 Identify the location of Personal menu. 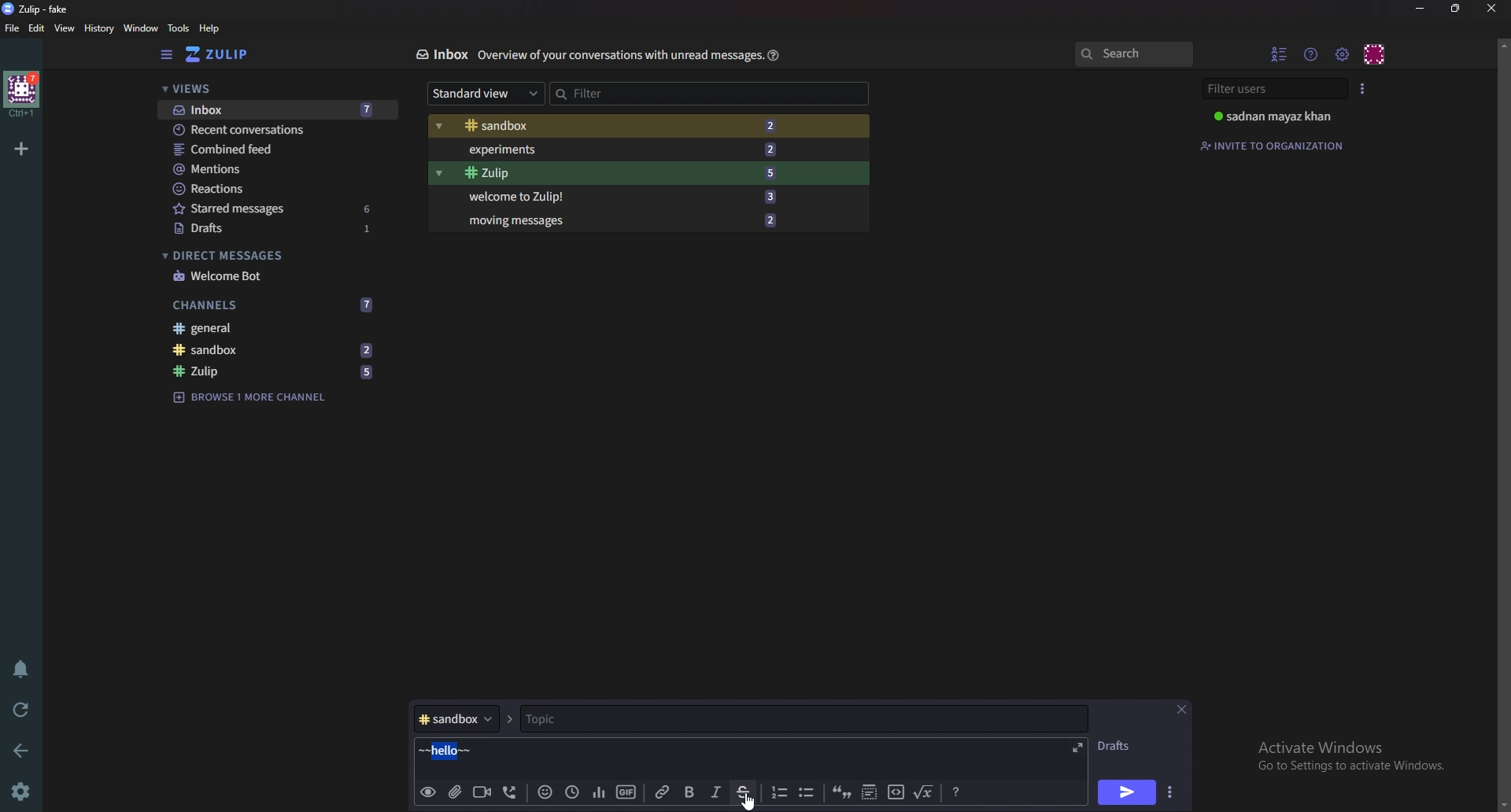
(1375, 54).